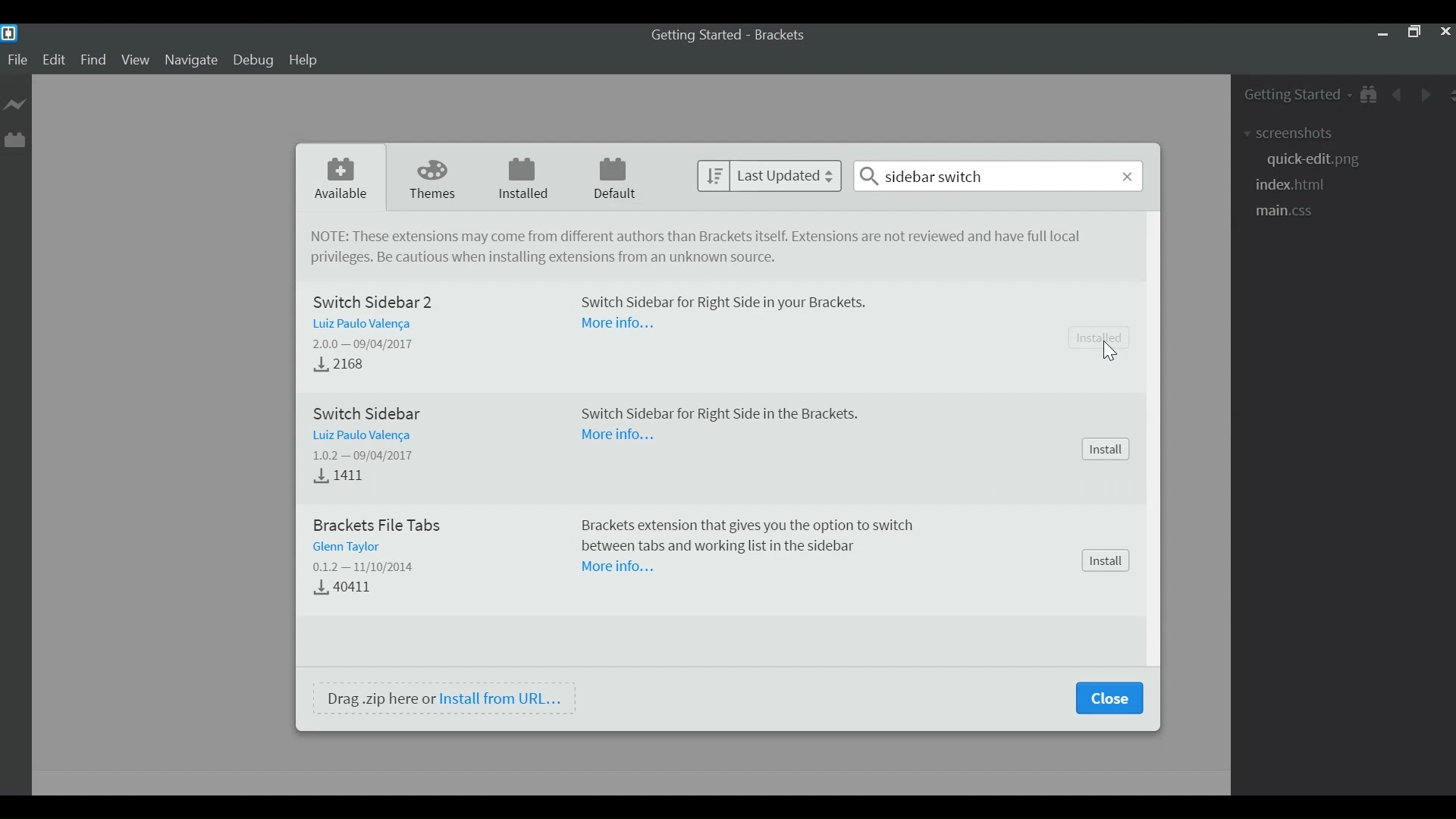 The image size is (1456, 819). What do you see at coordinates (340, 364) in the screenshot?
I see `Download` at bounding box center [340, 364].